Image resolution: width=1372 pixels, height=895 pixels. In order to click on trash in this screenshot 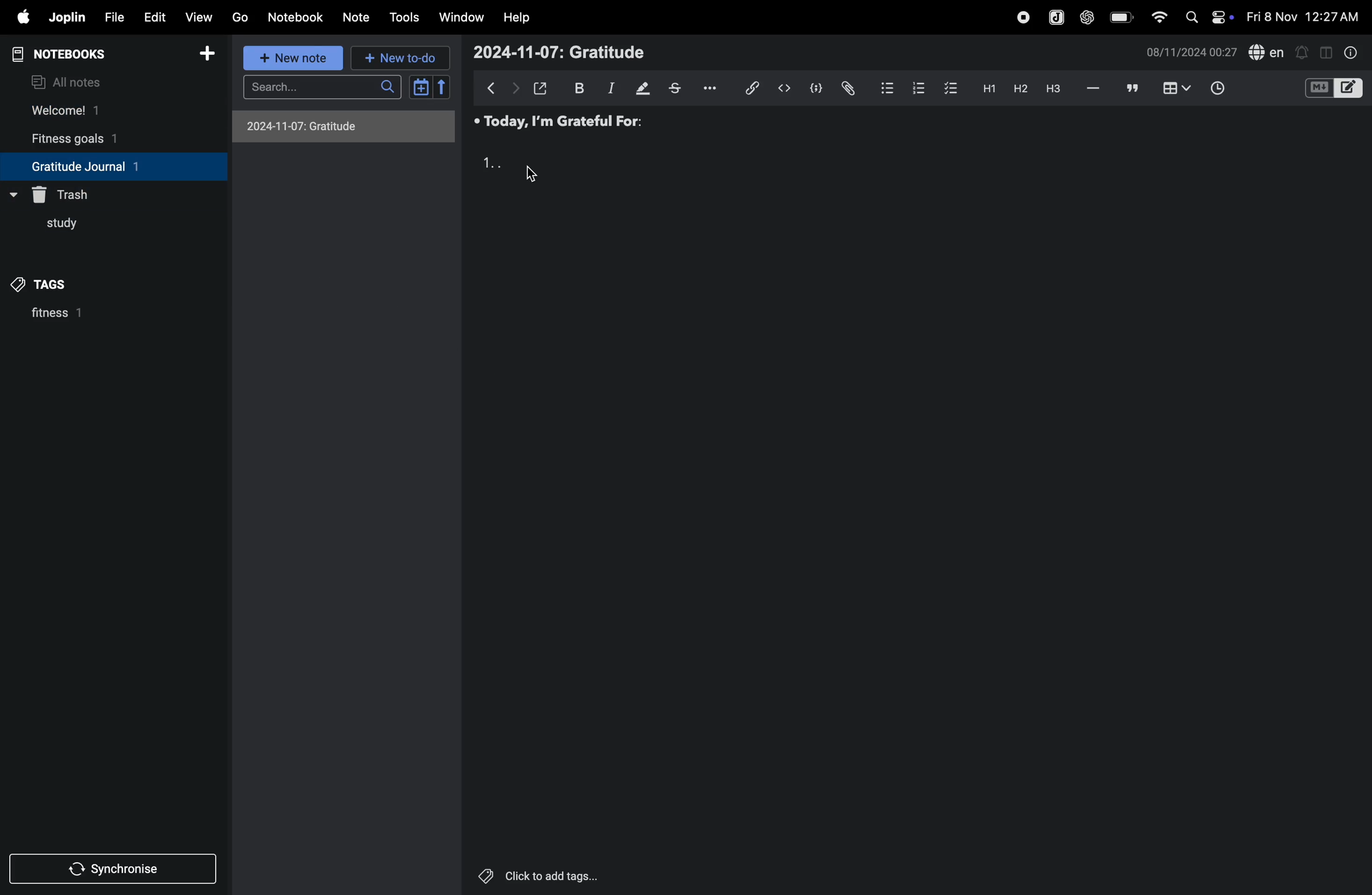, I will do `click(68, 193)`.